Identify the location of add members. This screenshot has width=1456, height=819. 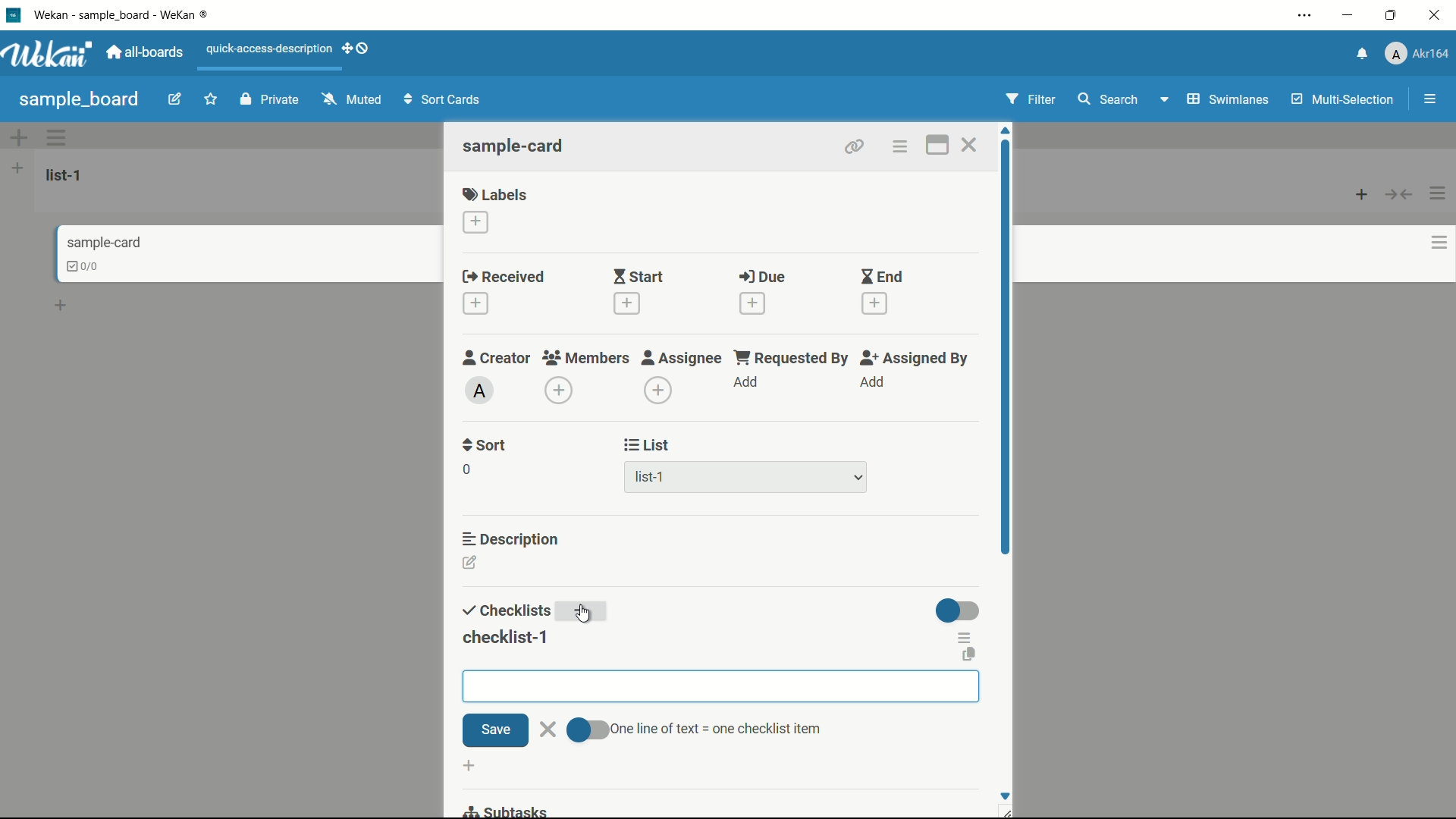
(561, 392).